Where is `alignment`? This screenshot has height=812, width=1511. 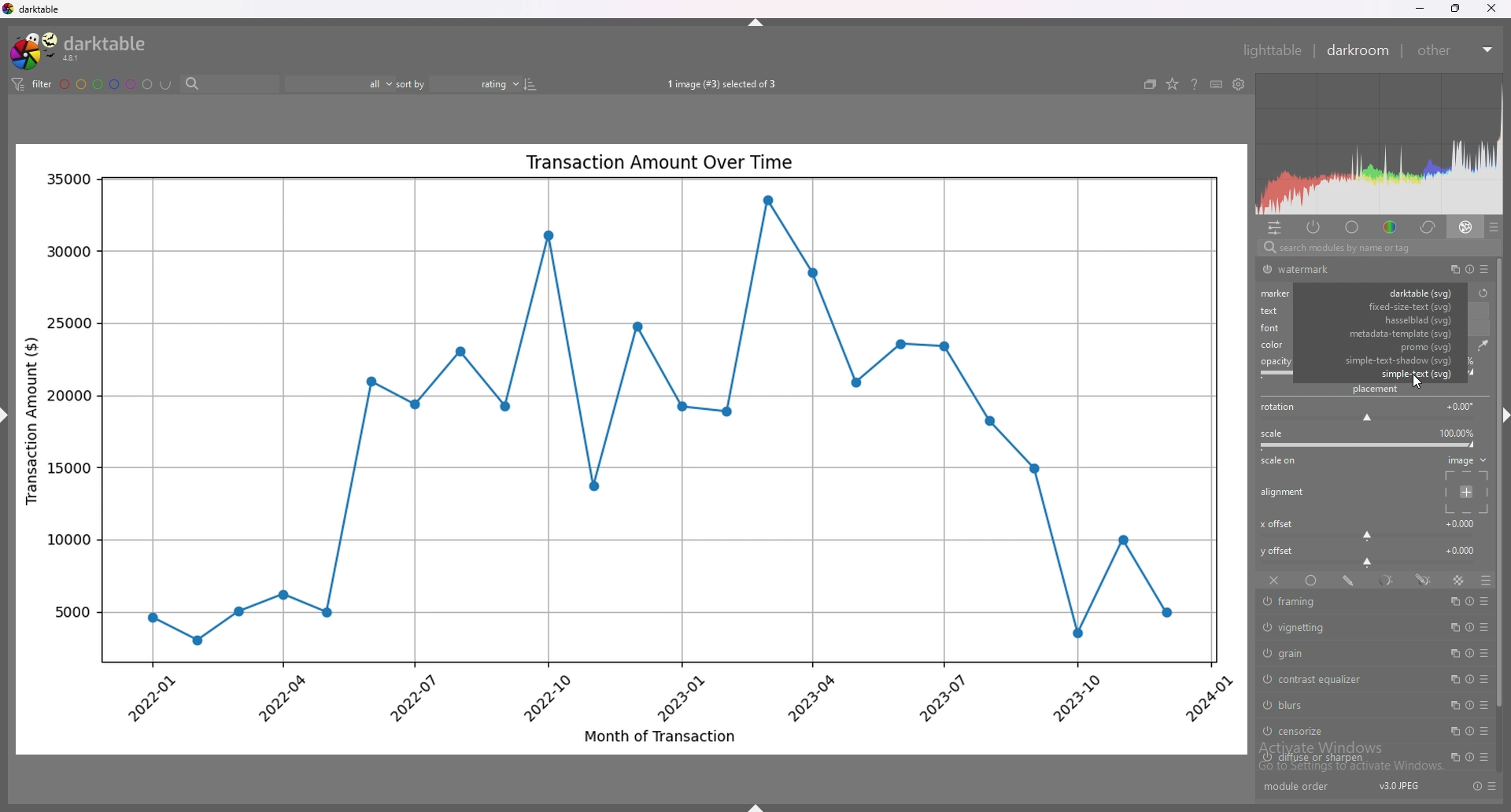 alignment is located at coordinates (1284, 492).